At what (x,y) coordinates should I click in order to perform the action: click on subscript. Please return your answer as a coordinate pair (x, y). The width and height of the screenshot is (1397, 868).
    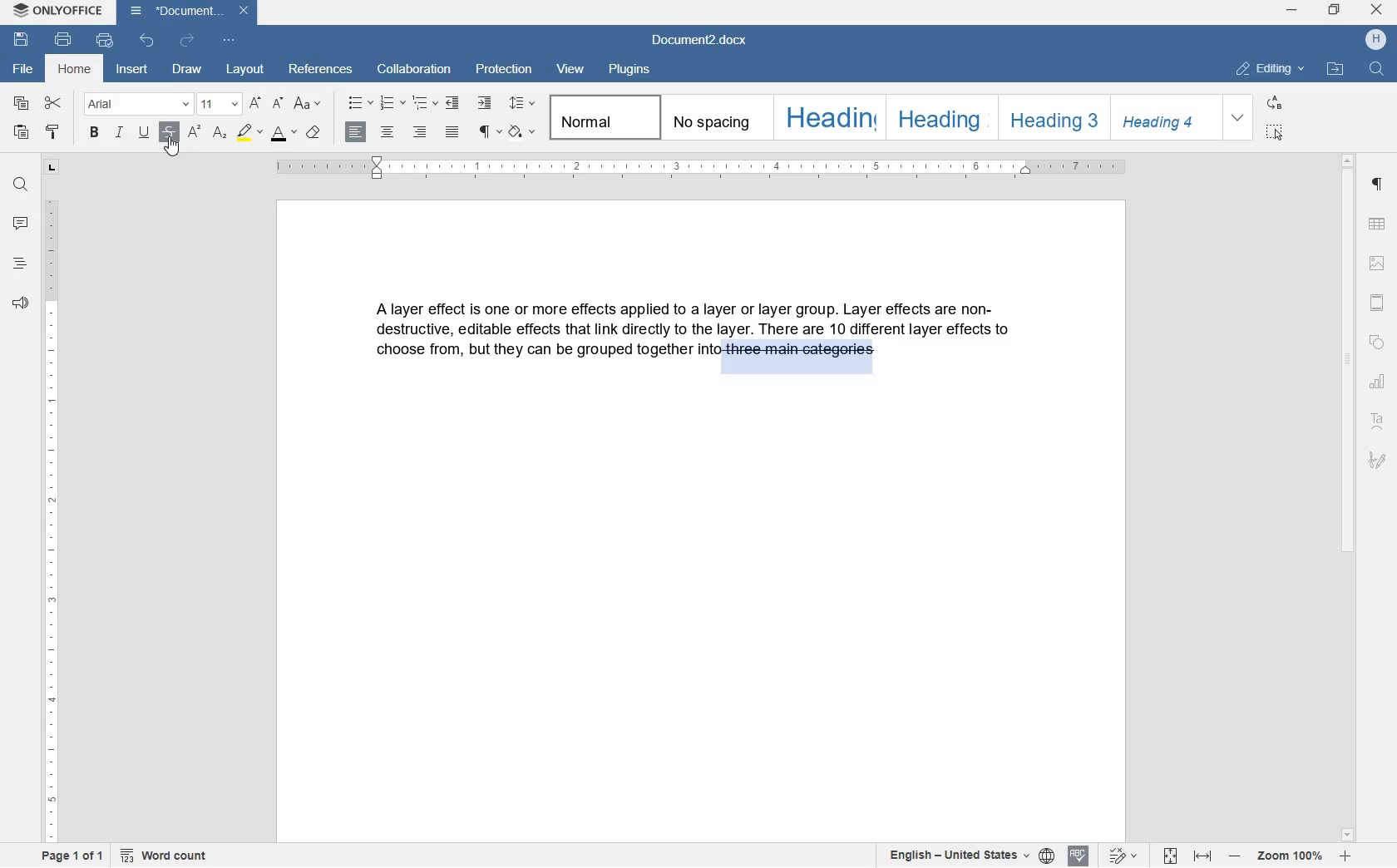
    Looking at the image, I should click on (221, 133).